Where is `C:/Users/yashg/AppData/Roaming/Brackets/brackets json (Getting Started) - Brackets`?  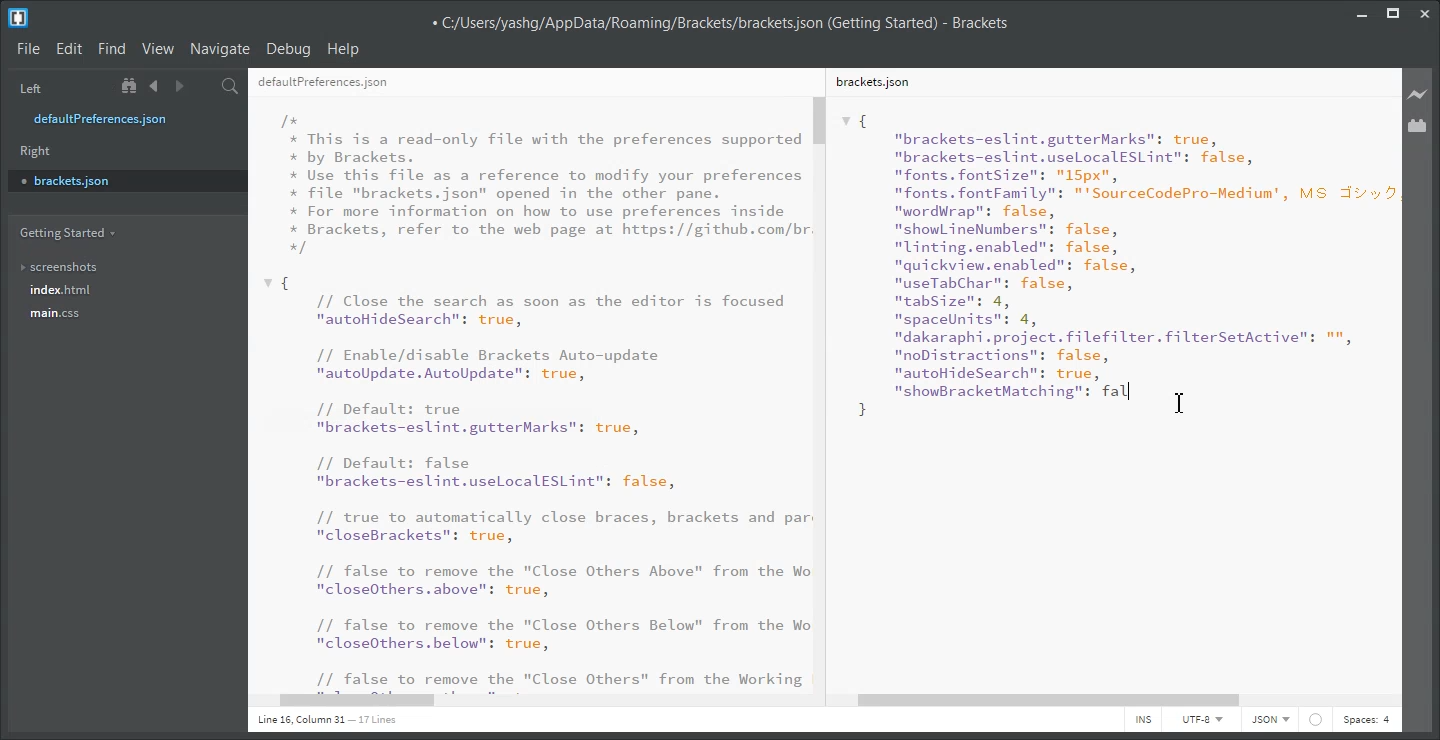 C:/Users/yashg/AppData/Roaming/Brackets/brackets json (Getting Started) - Brackets is located at coordinates (719, 21).